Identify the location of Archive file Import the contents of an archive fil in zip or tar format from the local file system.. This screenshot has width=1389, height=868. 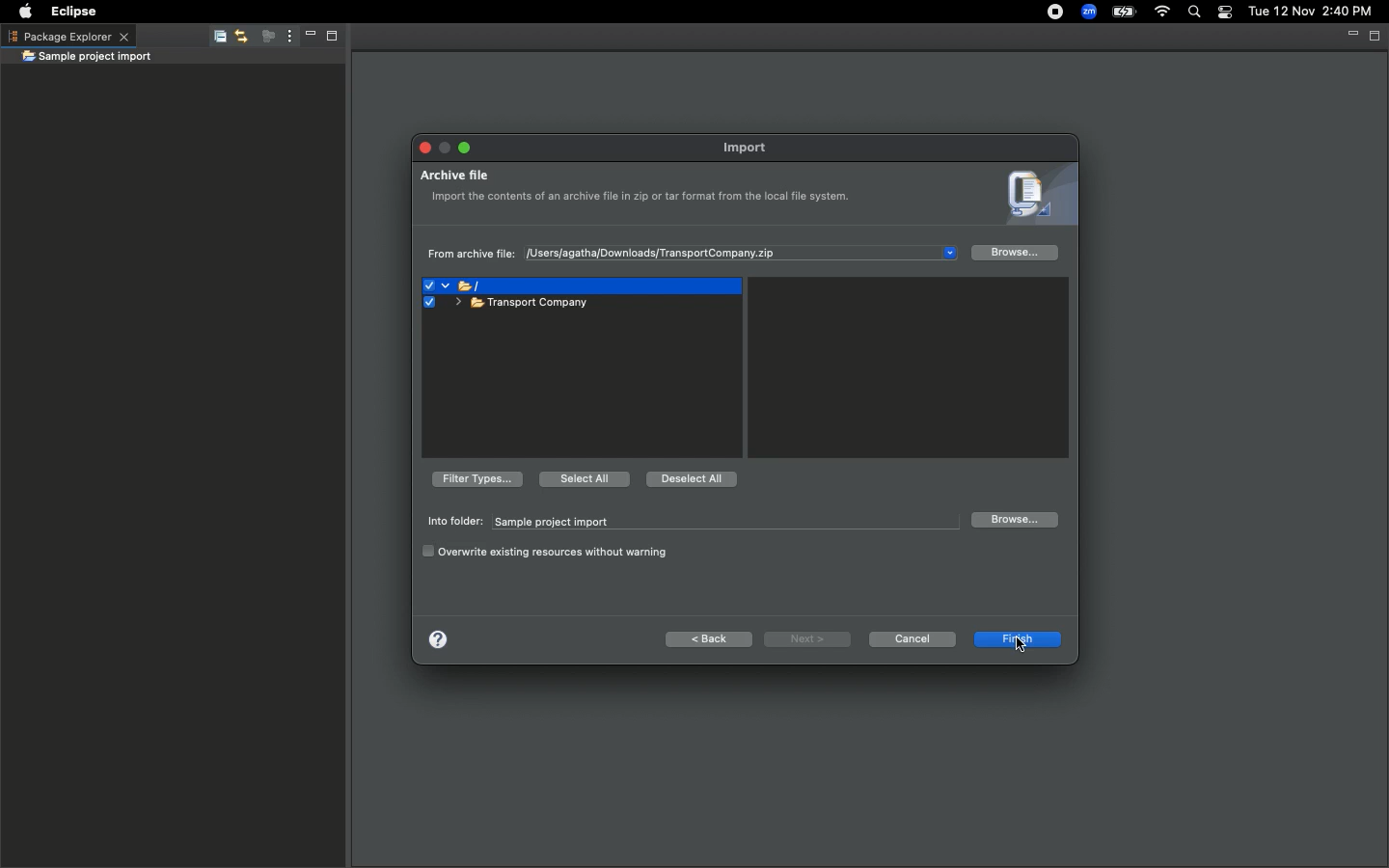
(643, 197).